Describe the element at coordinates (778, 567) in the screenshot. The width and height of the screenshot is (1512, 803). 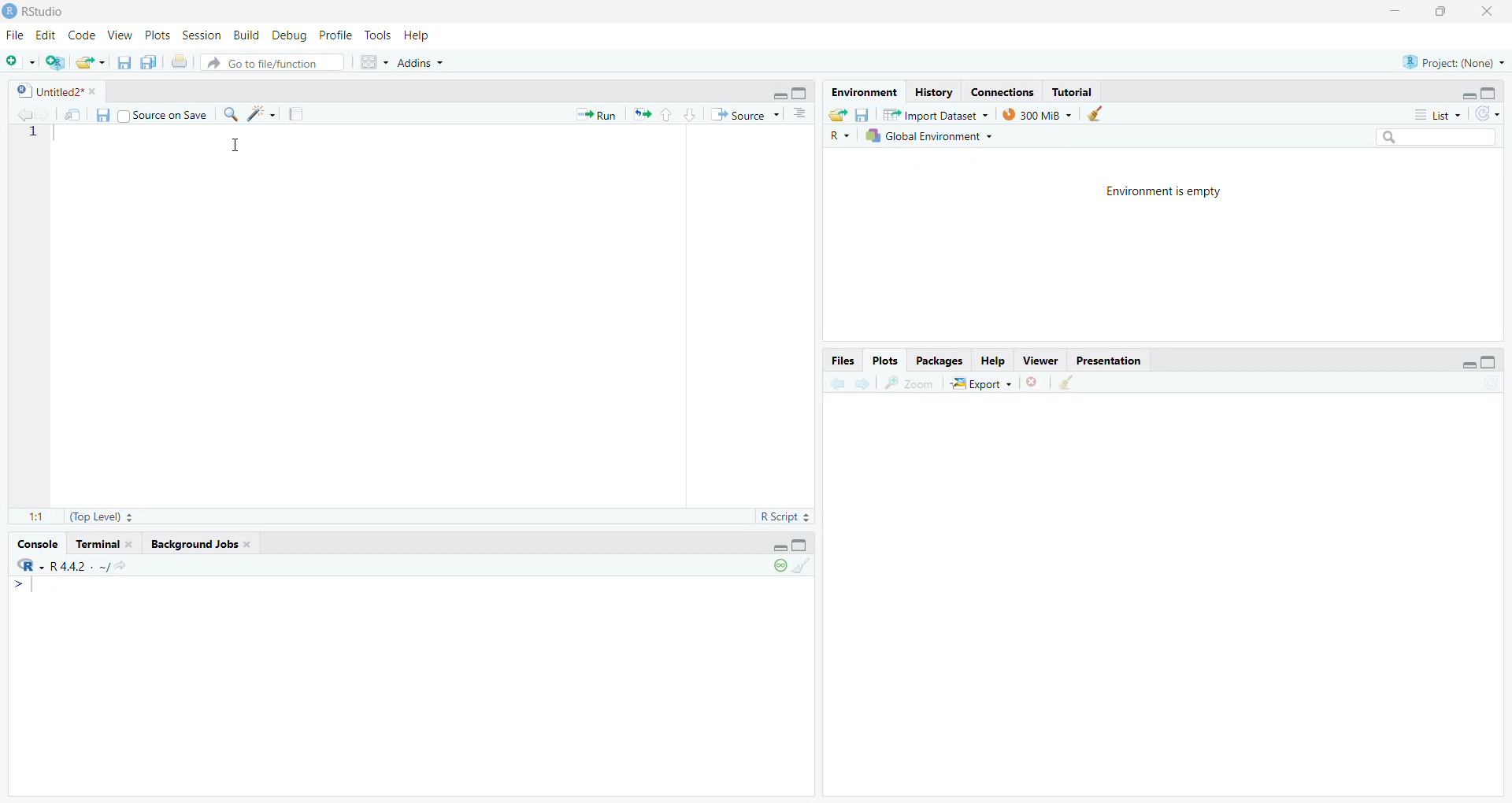
I see `paused console` at that location.